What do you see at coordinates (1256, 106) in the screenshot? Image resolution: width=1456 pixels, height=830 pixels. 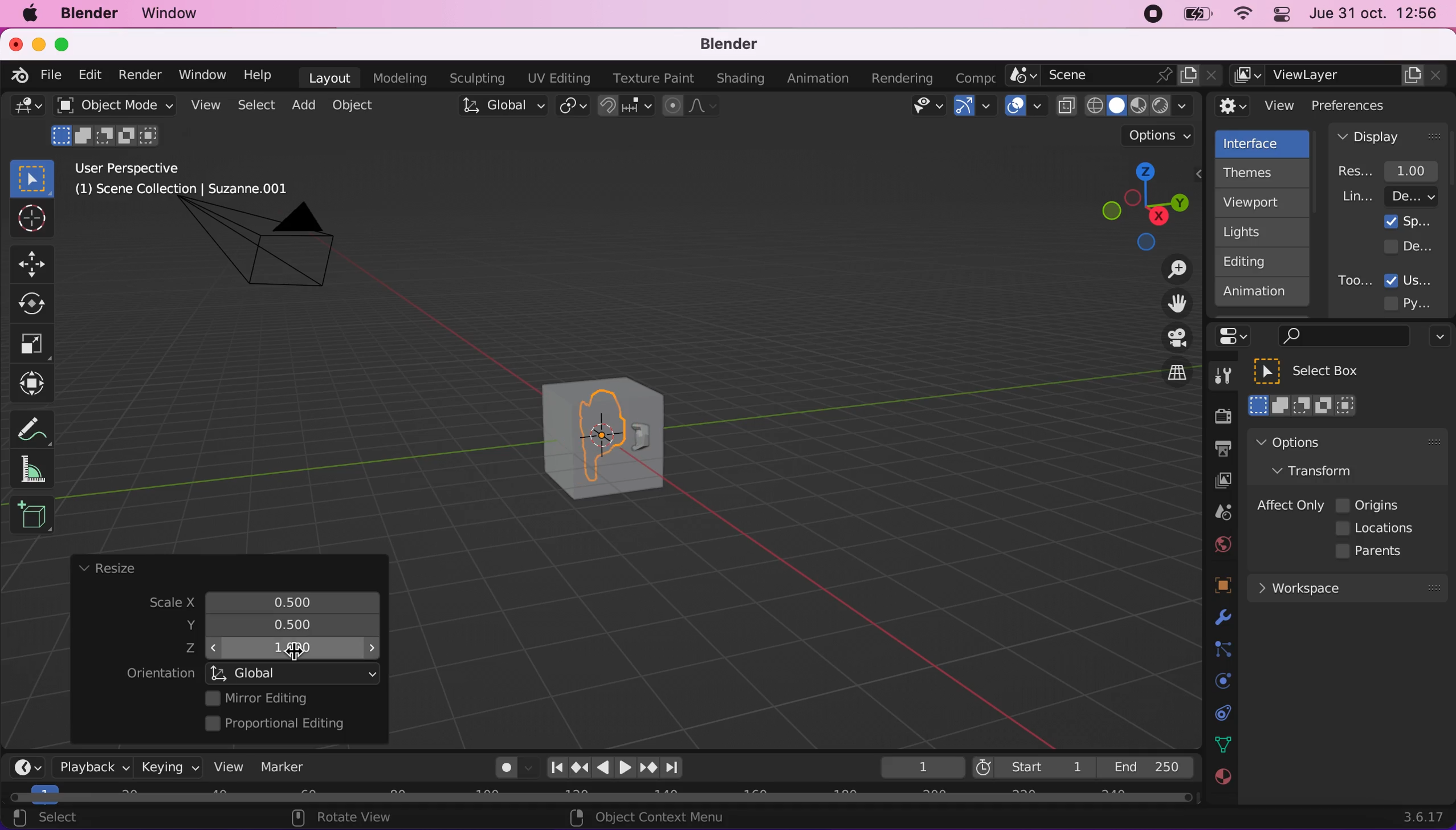 I see `view` at bounding box center [1256, 106].